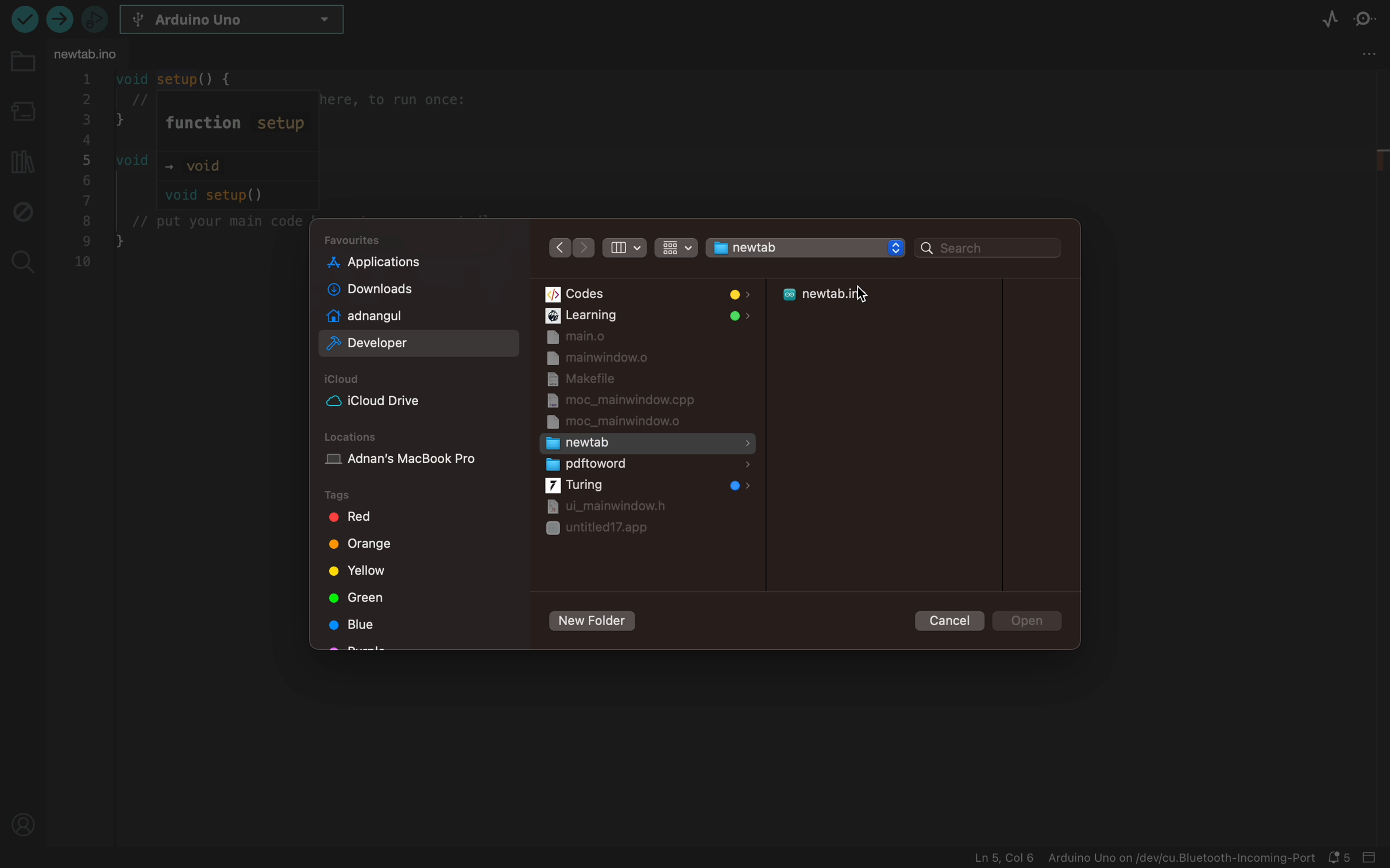  I want to click on select folder drop down, so click(896, 247).